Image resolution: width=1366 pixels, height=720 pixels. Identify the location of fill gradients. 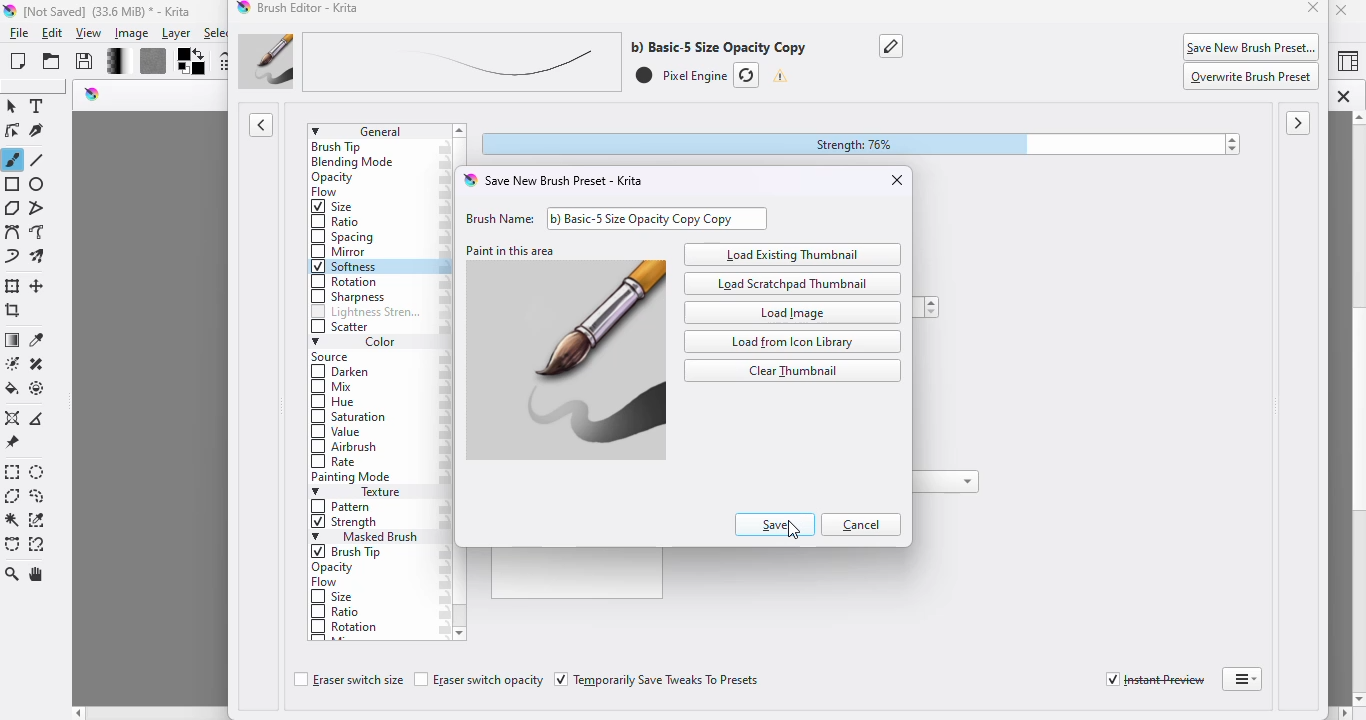
(111, 62).